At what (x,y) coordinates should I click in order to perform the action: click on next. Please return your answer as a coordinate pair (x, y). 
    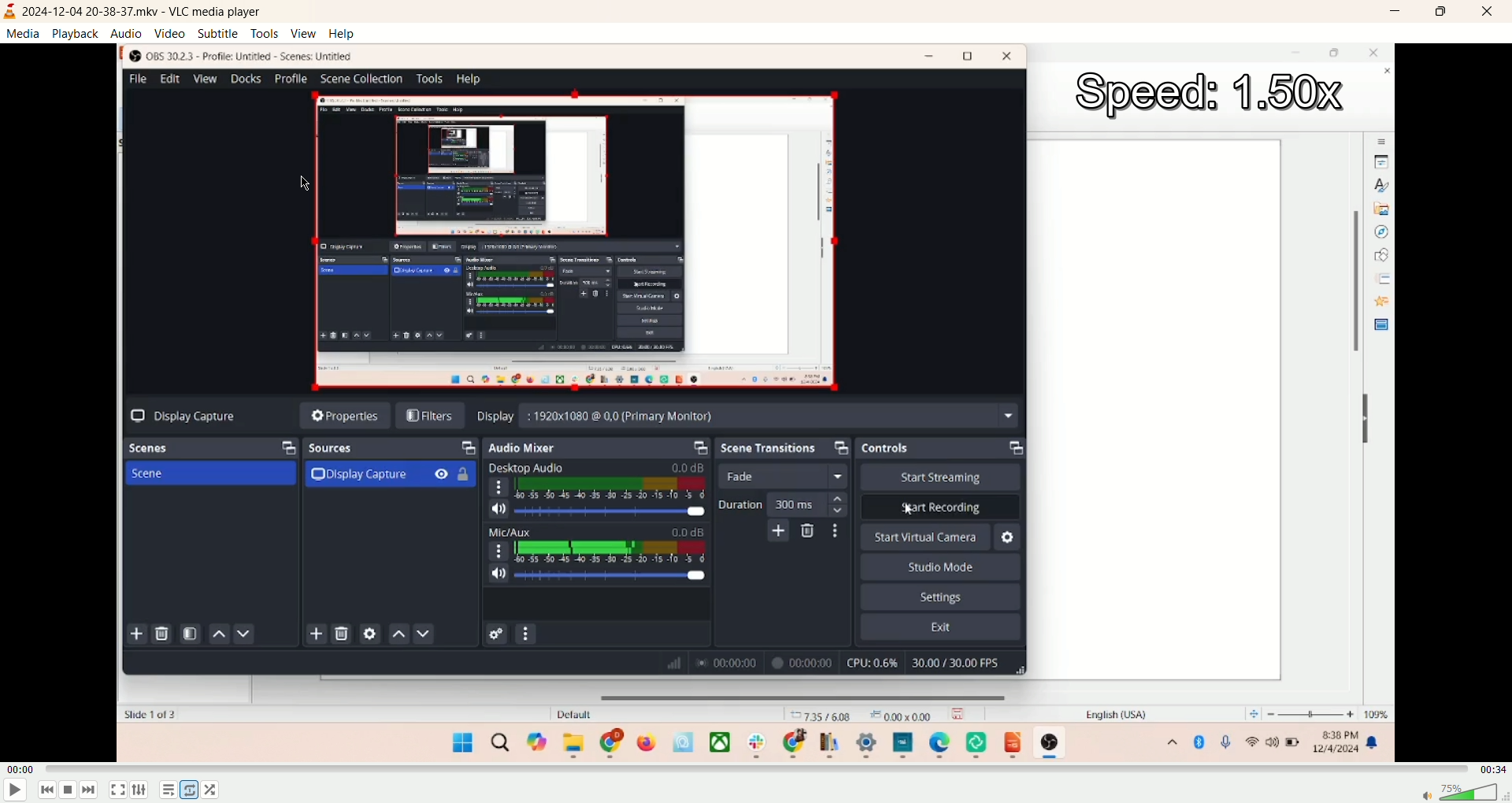
    Looking at the image, I should click on (95, 792).